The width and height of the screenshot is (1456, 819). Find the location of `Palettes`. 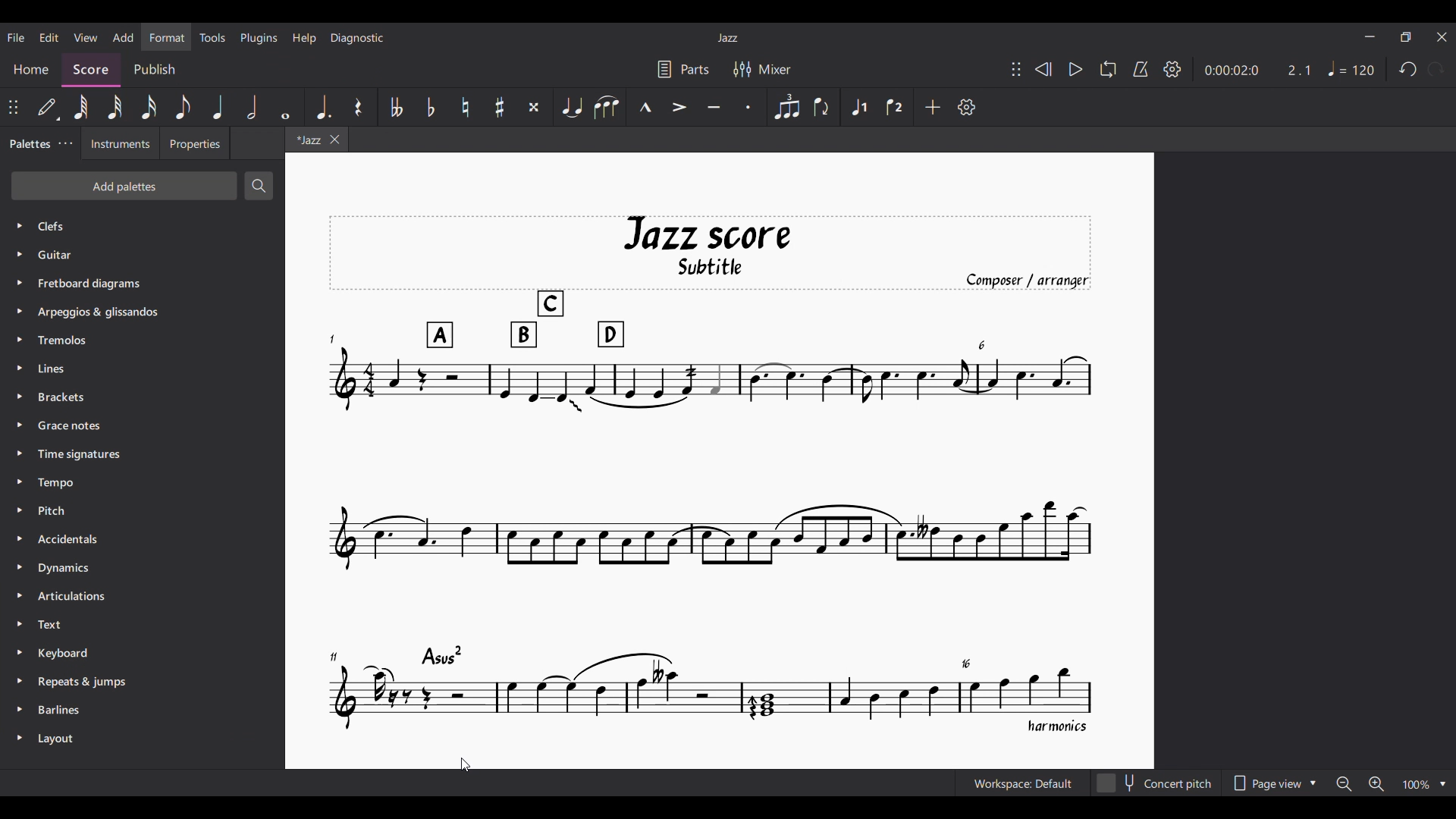

Palettes is located at coordinates (29, 143).